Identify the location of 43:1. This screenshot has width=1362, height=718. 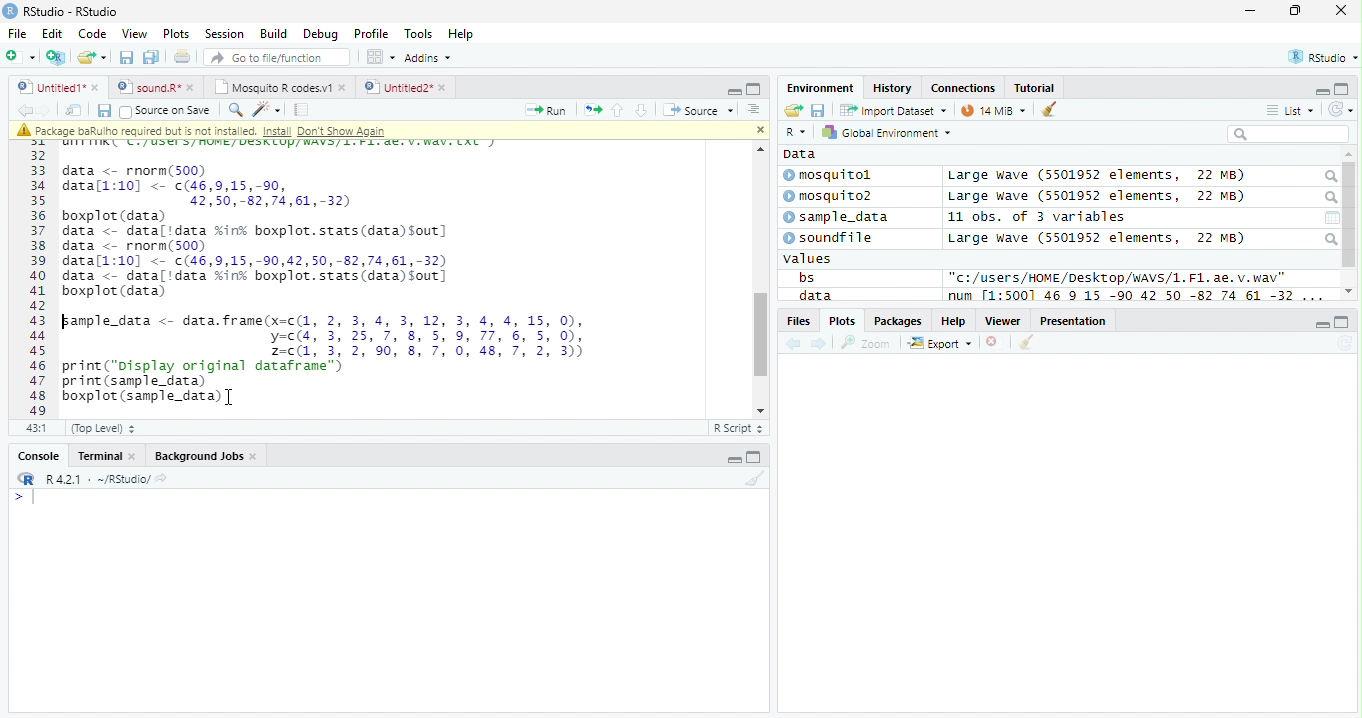
(36, 427).